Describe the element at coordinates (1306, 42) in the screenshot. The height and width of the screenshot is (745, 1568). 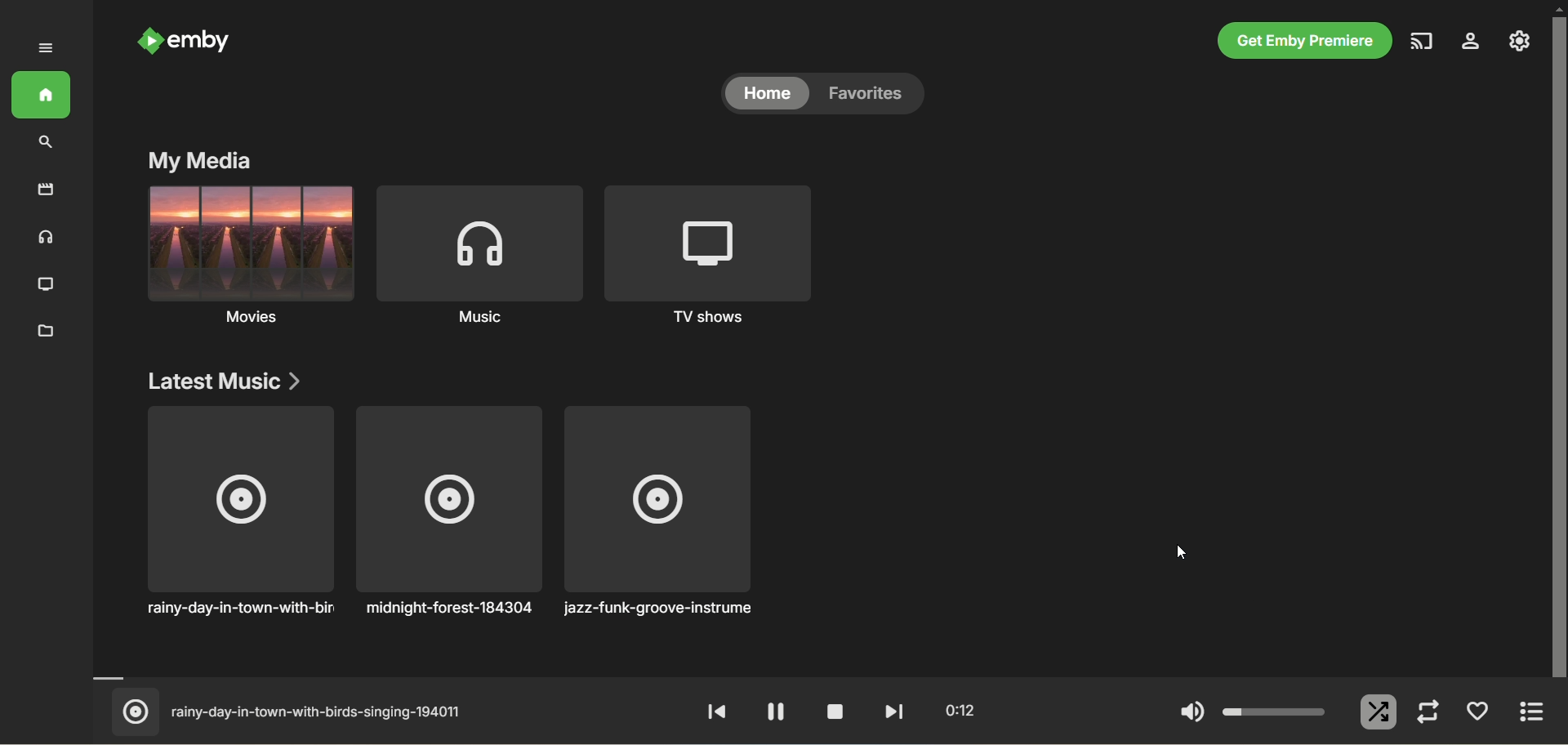
I see `get emby premier` at that location.